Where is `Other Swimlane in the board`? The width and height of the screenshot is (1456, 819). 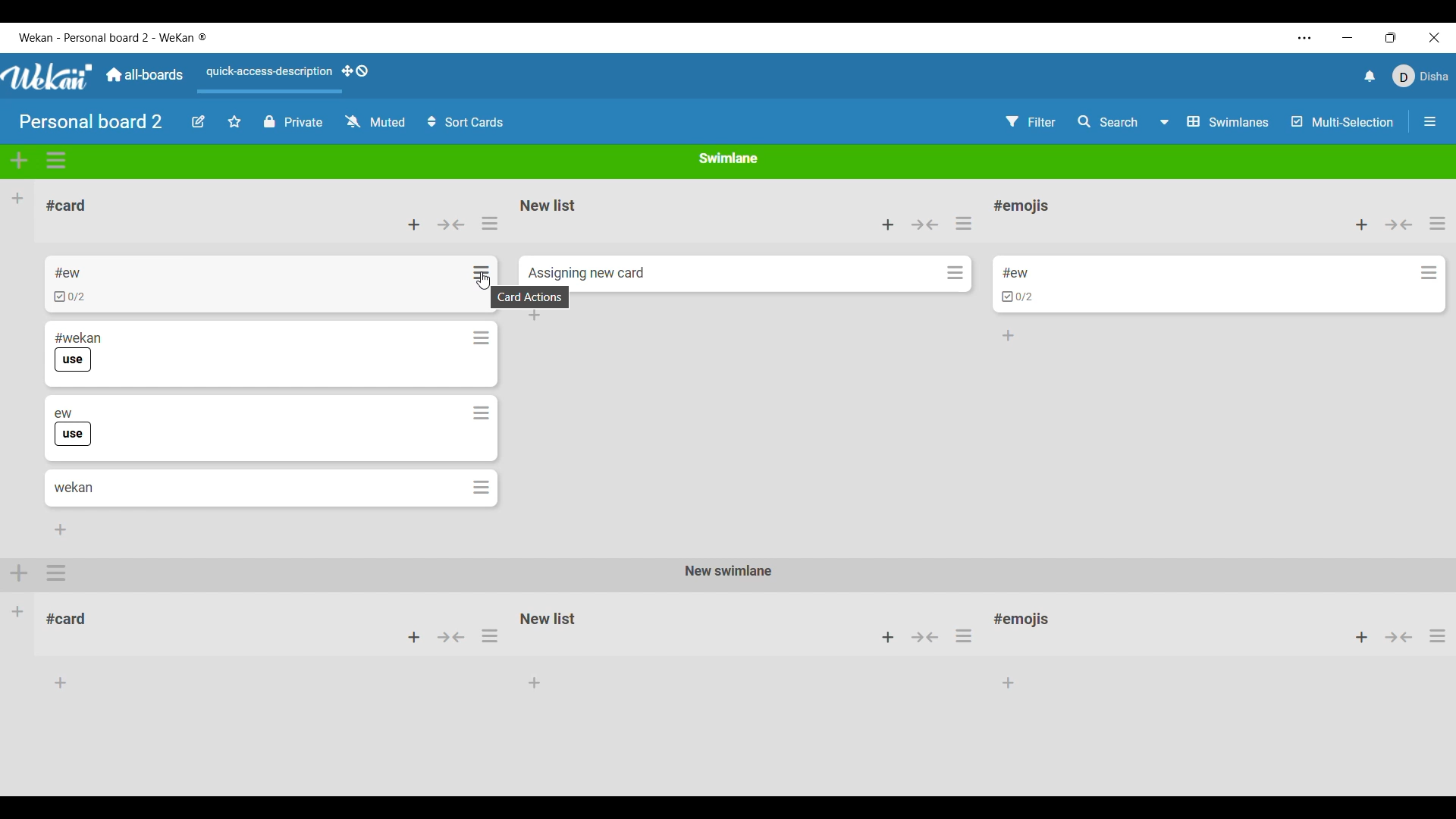
Other Swimlane in the board is located at coordinates (18, 610).